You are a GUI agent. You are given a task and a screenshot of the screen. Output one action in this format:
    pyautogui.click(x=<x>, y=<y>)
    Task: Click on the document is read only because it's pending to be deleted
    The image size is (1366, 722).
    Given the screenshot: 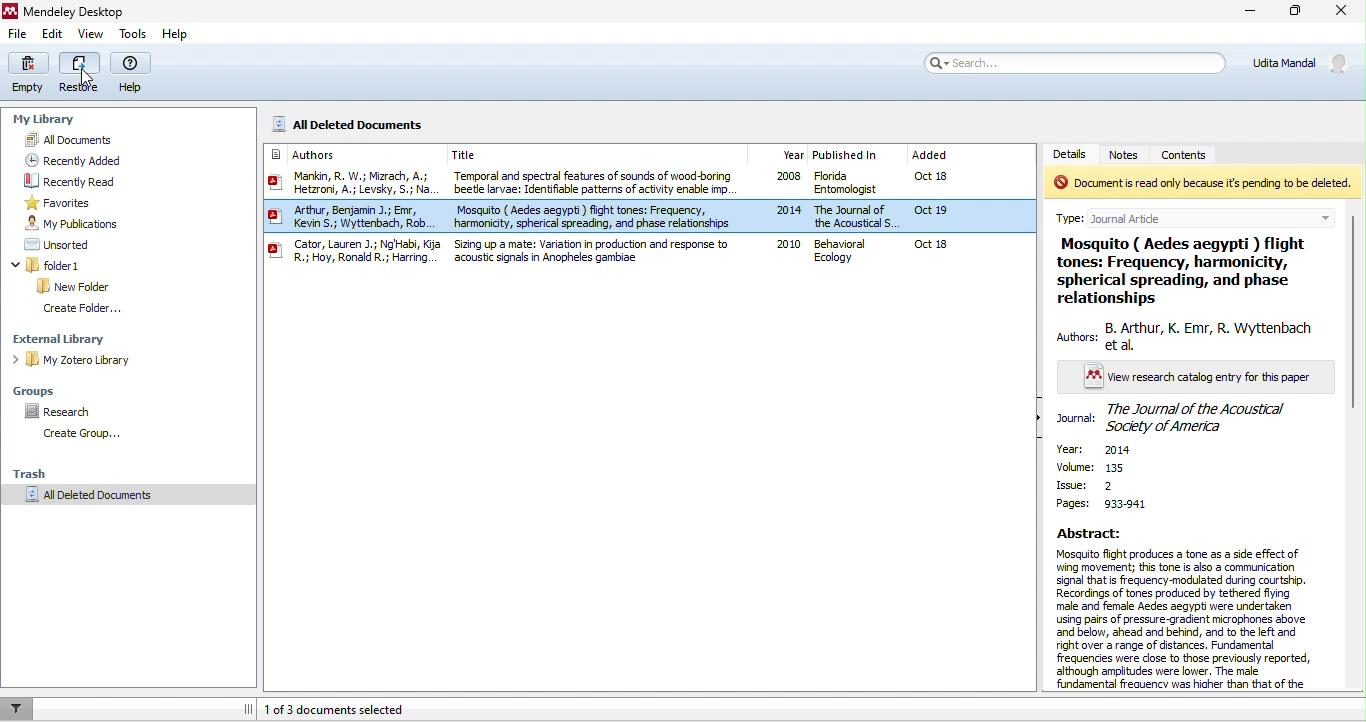 What is the action you would take?
    pyautogui.click(x=1202, y=183)
    